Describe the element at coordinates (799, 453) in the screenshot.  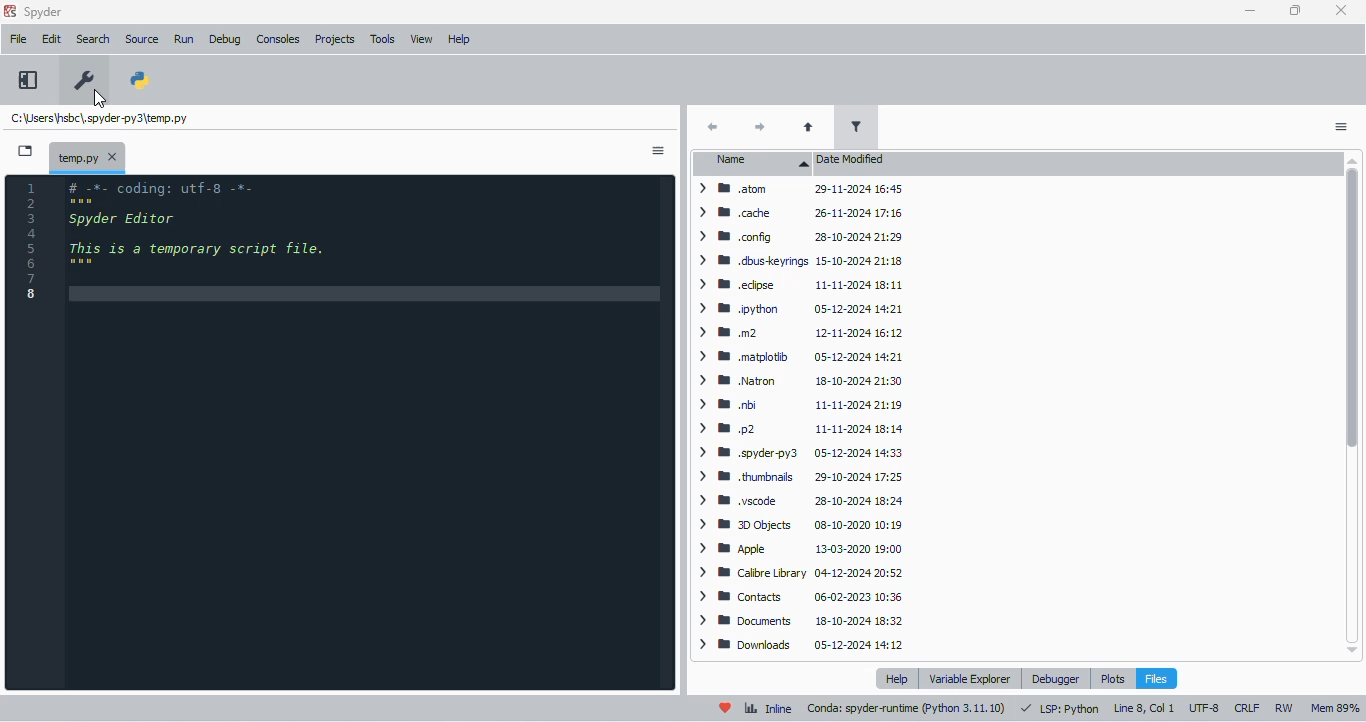
I see `> WB spyderpy3 05-12-2024 14:33` at that location.